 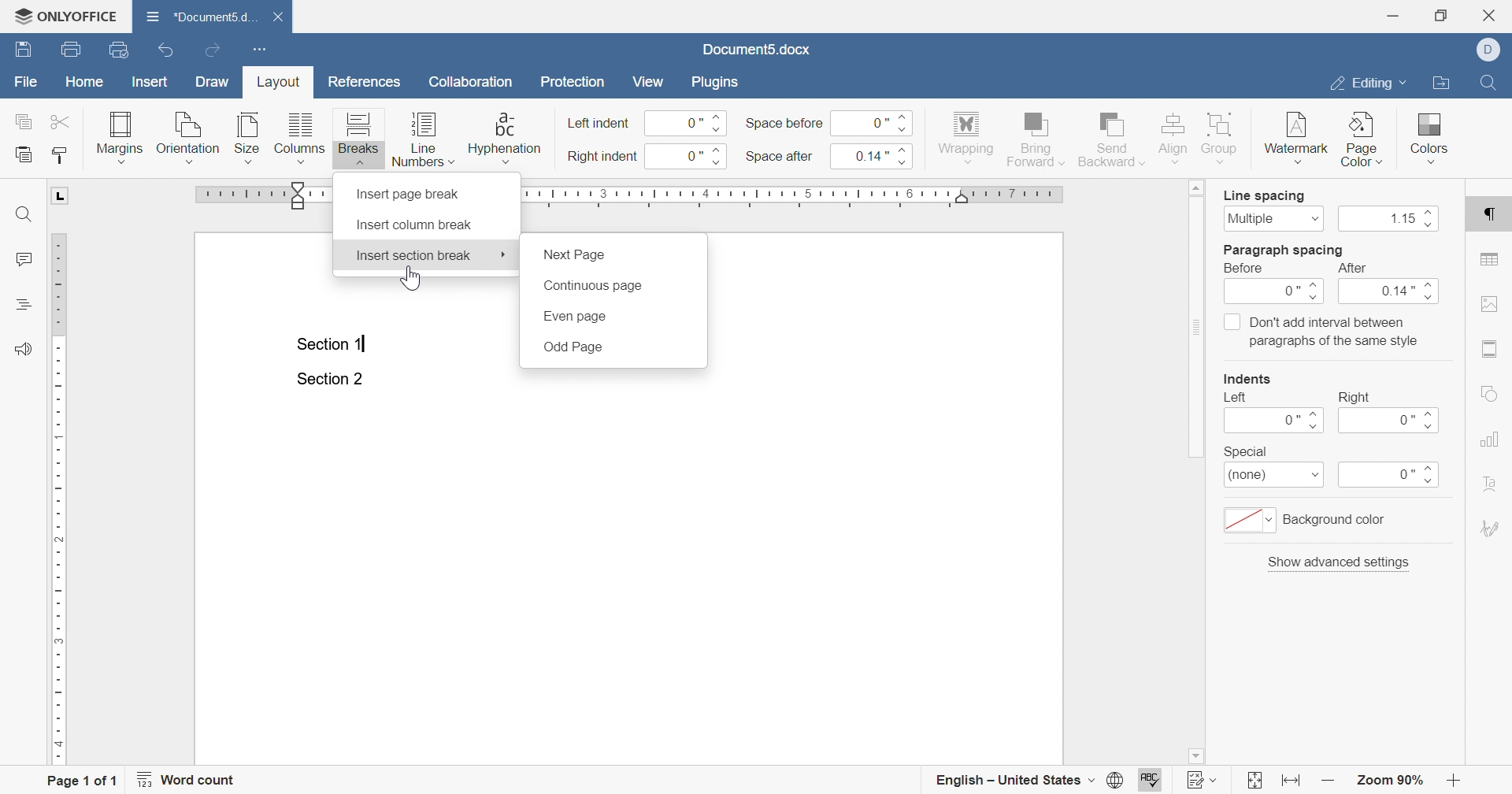 I want to click on open file location, so click(x=1441, y=83).